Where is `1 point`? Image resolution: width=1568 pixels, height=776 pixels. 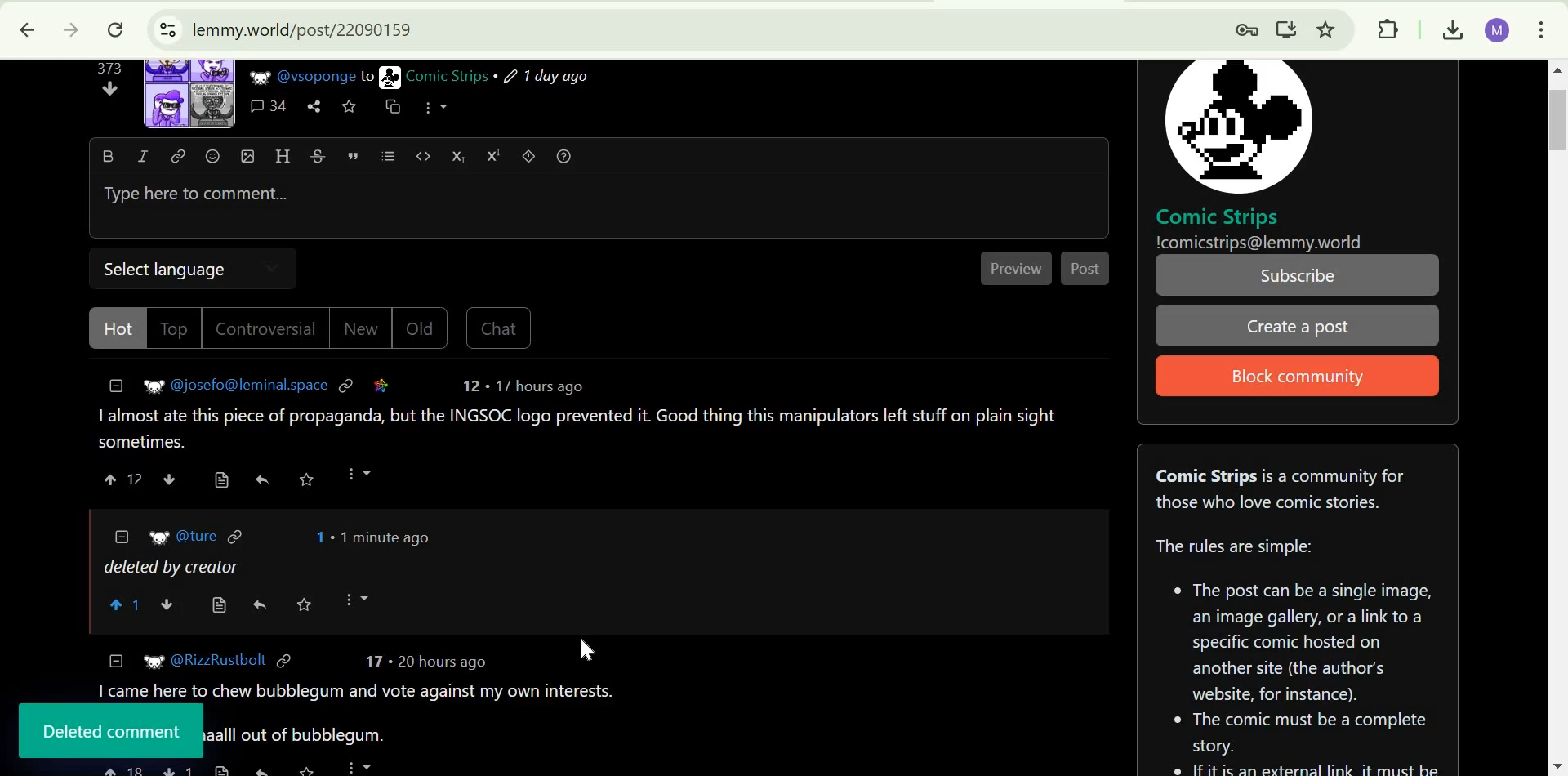
1 point is located at coordinates (317, 537).